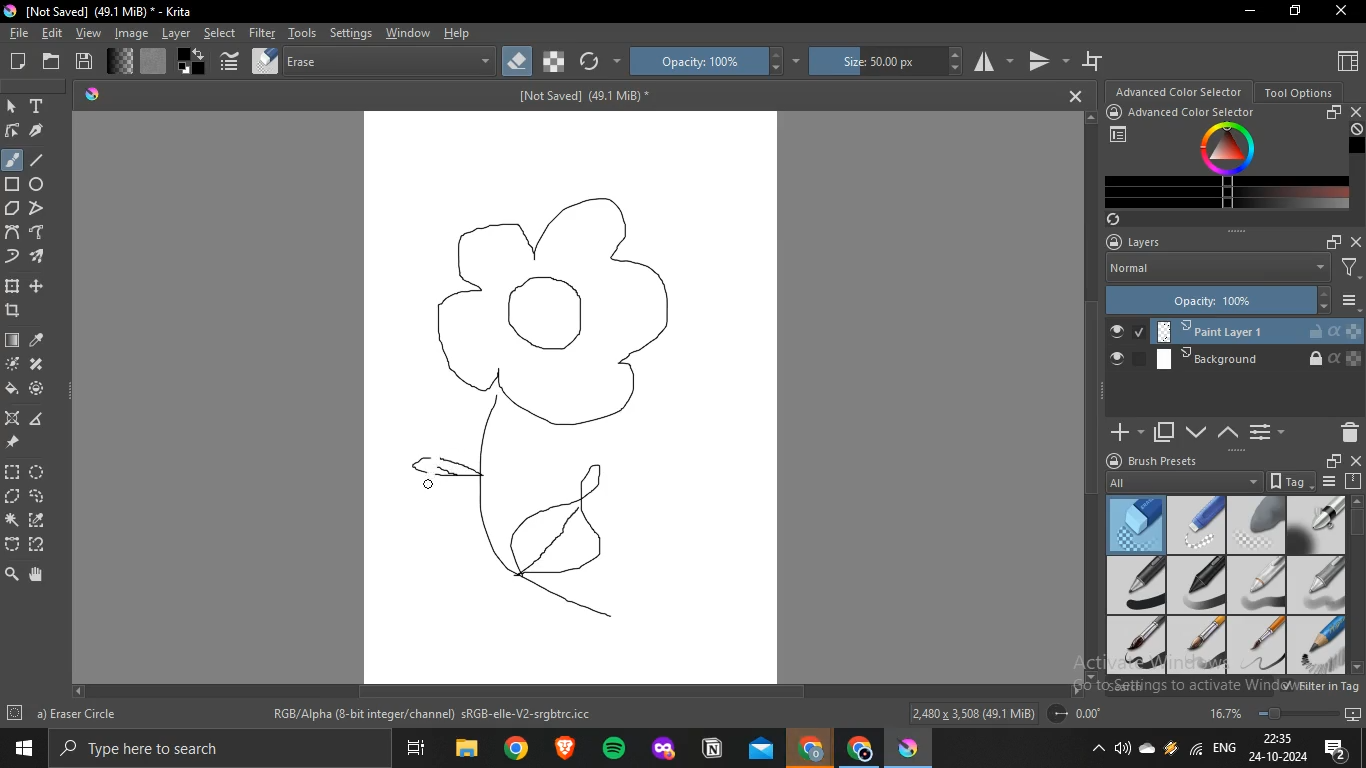  What do you see at coordinates (1148, 748) in the screenshot?
I see `one drive` at bounding box center [1148, 748].